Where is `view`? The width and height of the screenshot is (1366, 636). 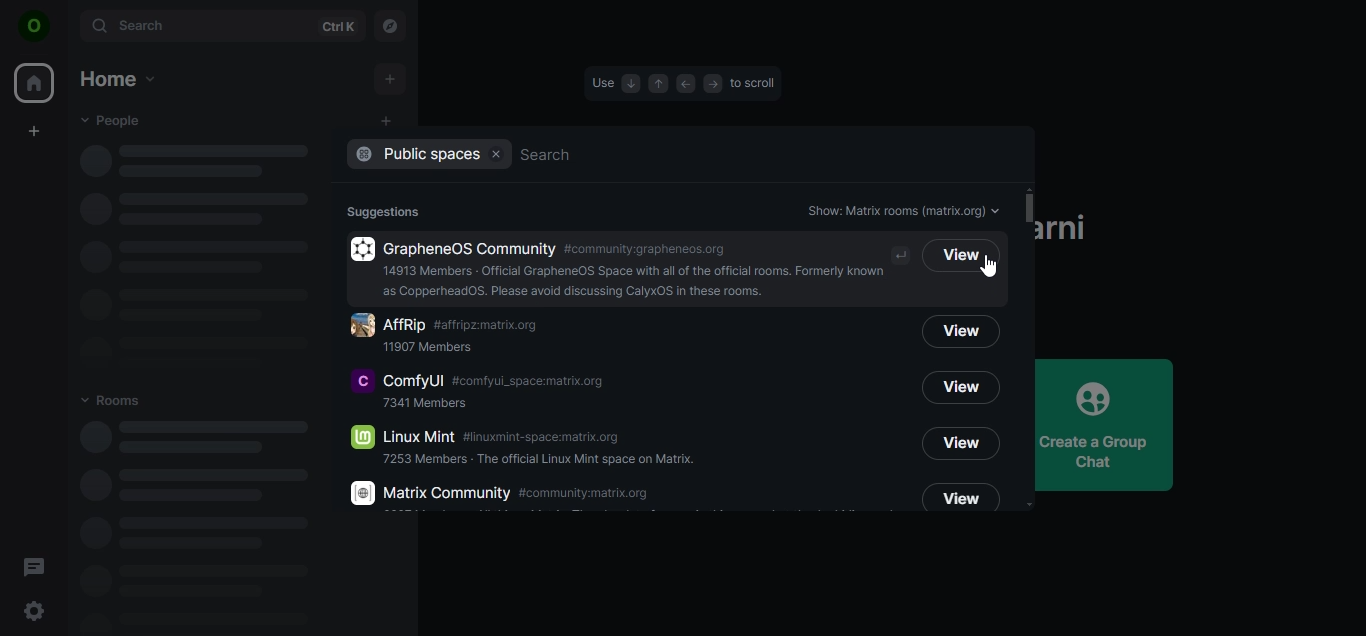 view is located at coordinates (957, 258).